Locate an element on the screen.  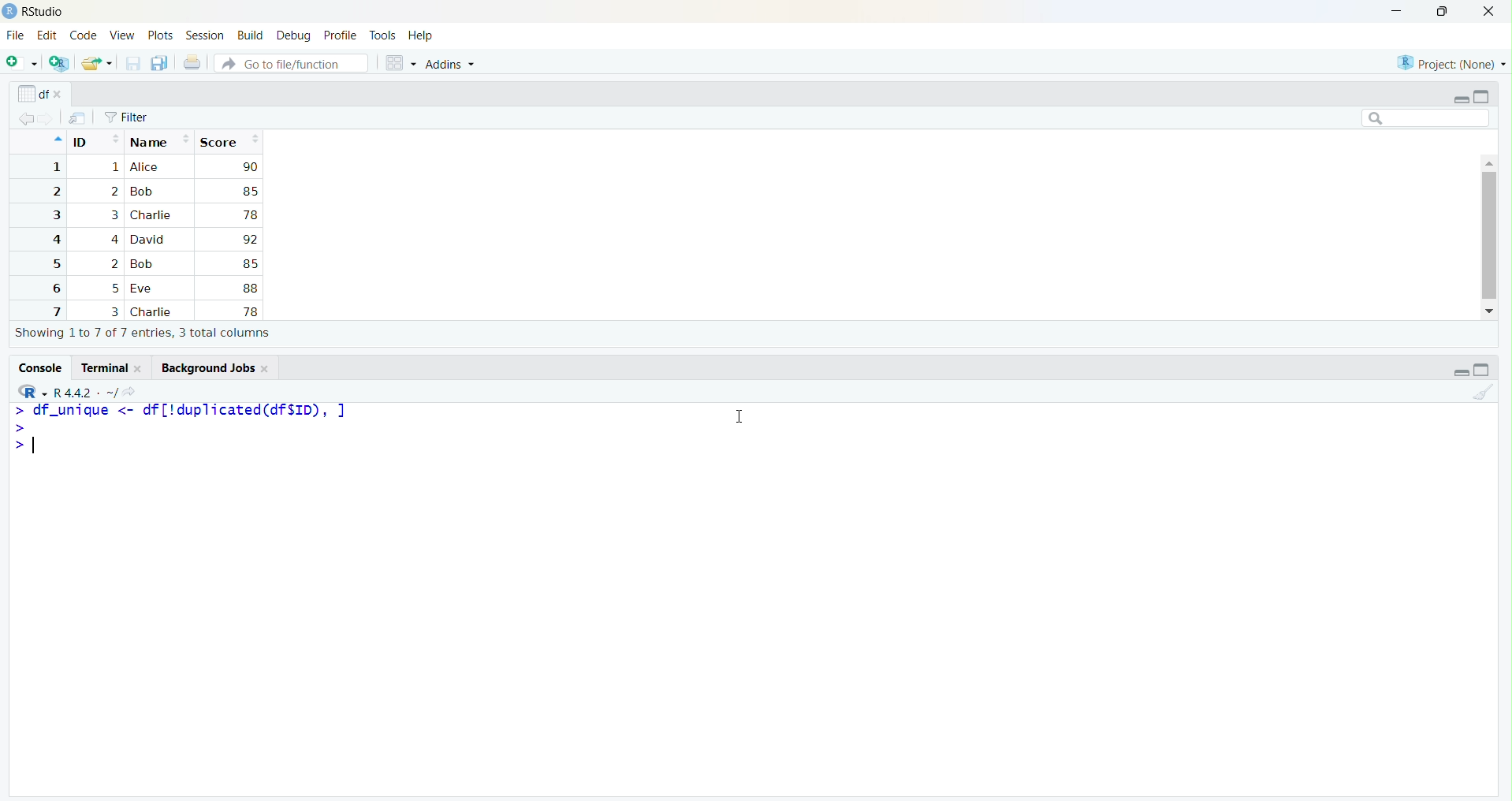
. ~/> is located at coordinates (118, 393).